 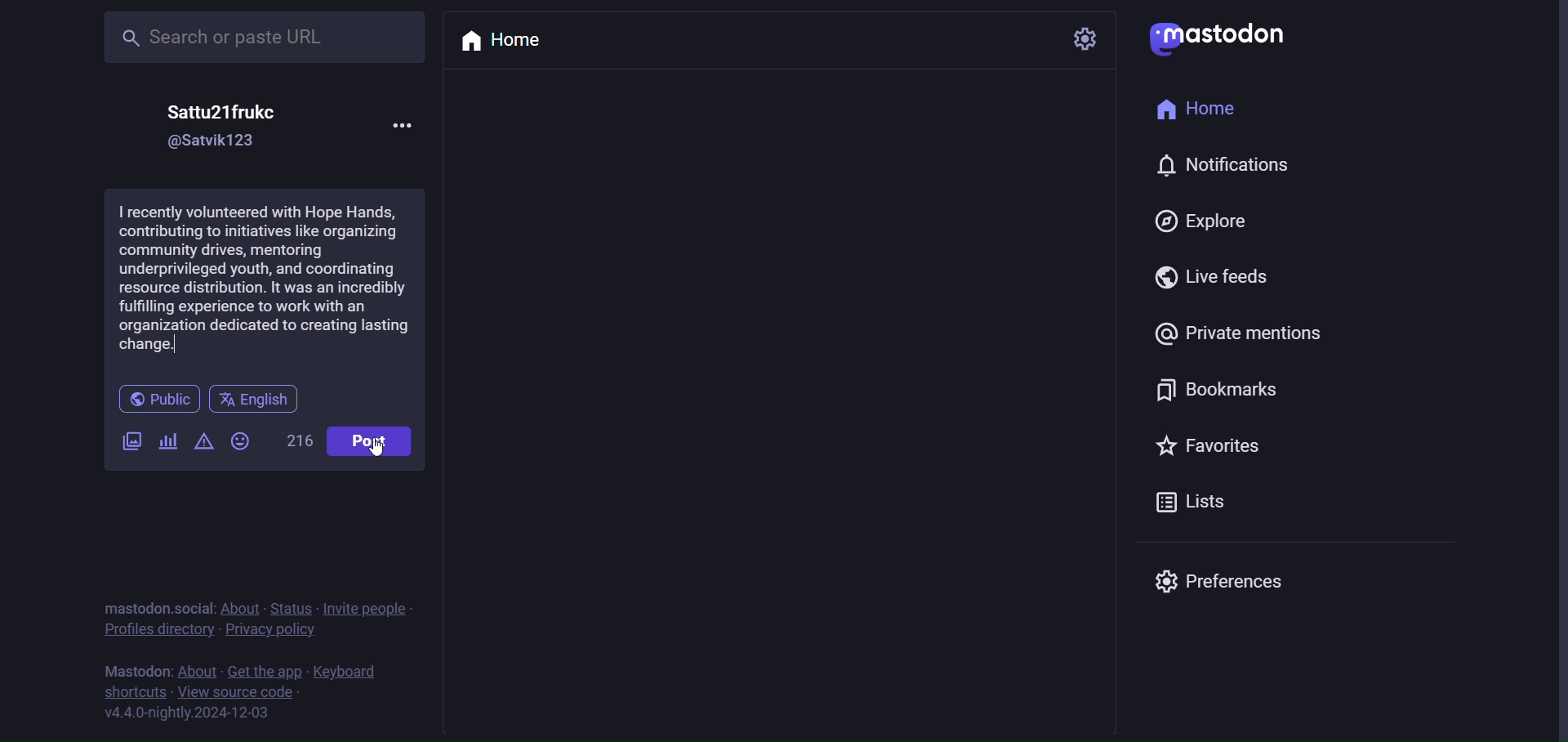 I want to click on emoji, so click(x=240, y=444).